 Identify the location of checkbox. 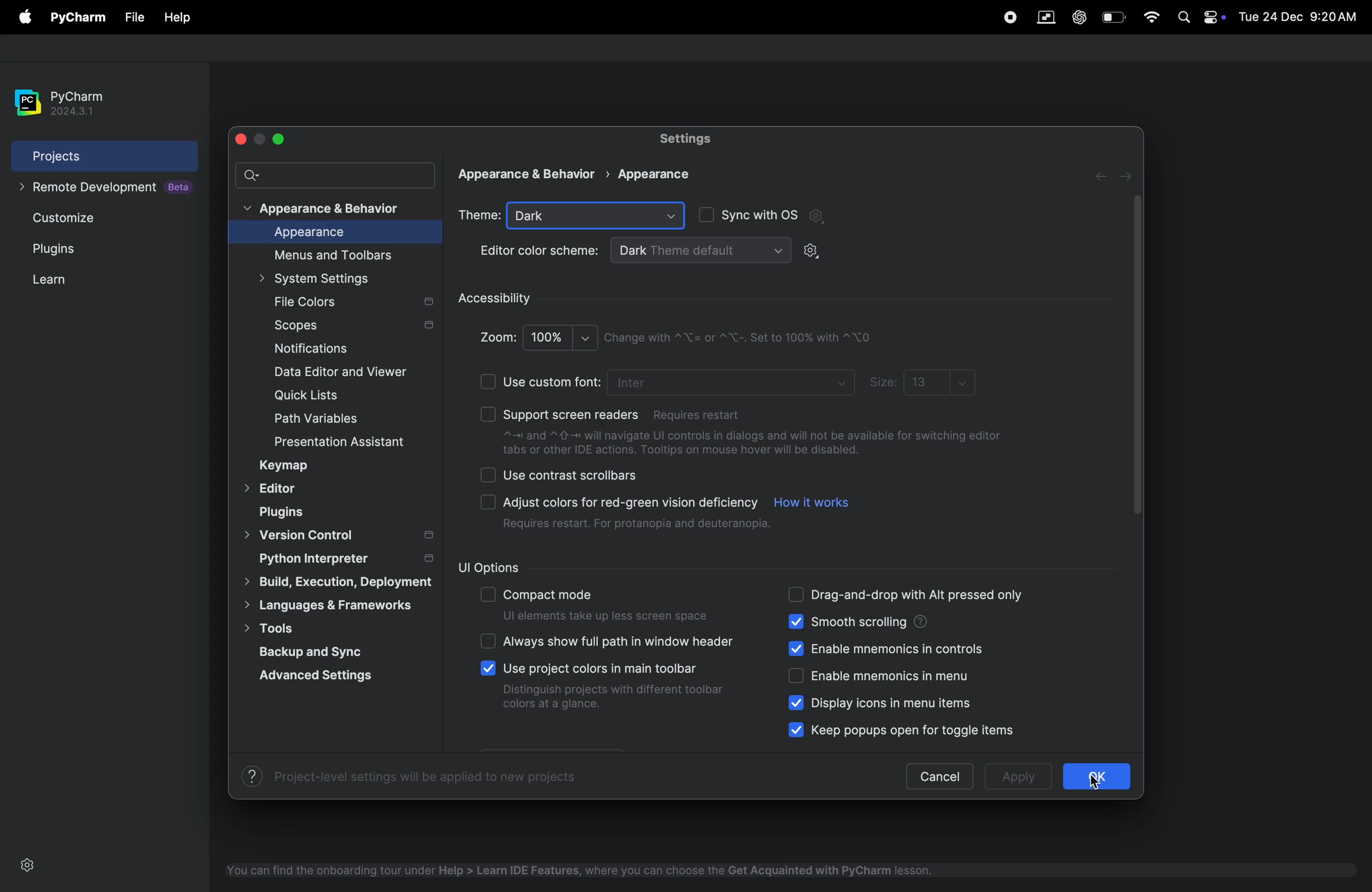
(488, 475).